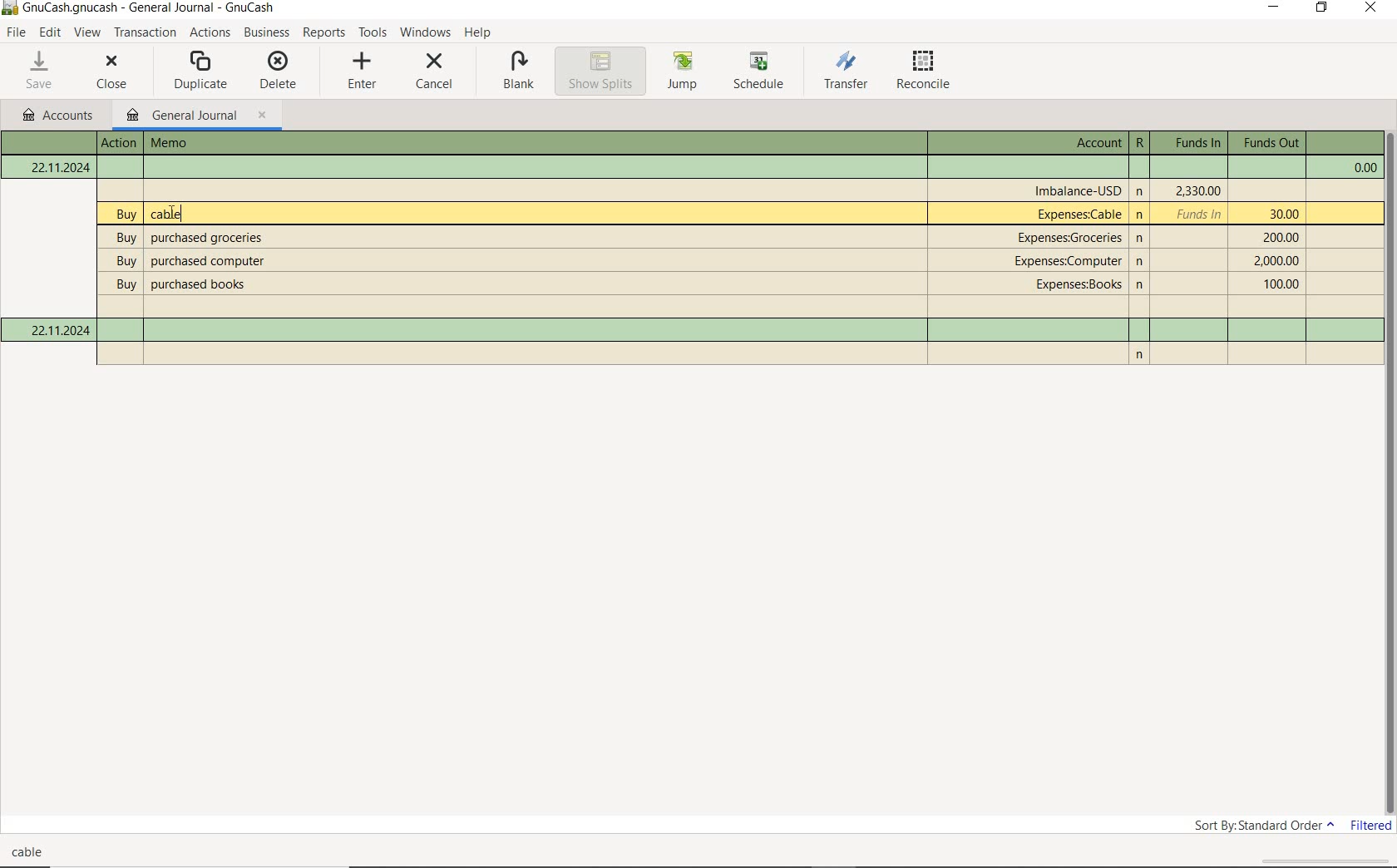  I want to click on Text, so click(1092, 143).